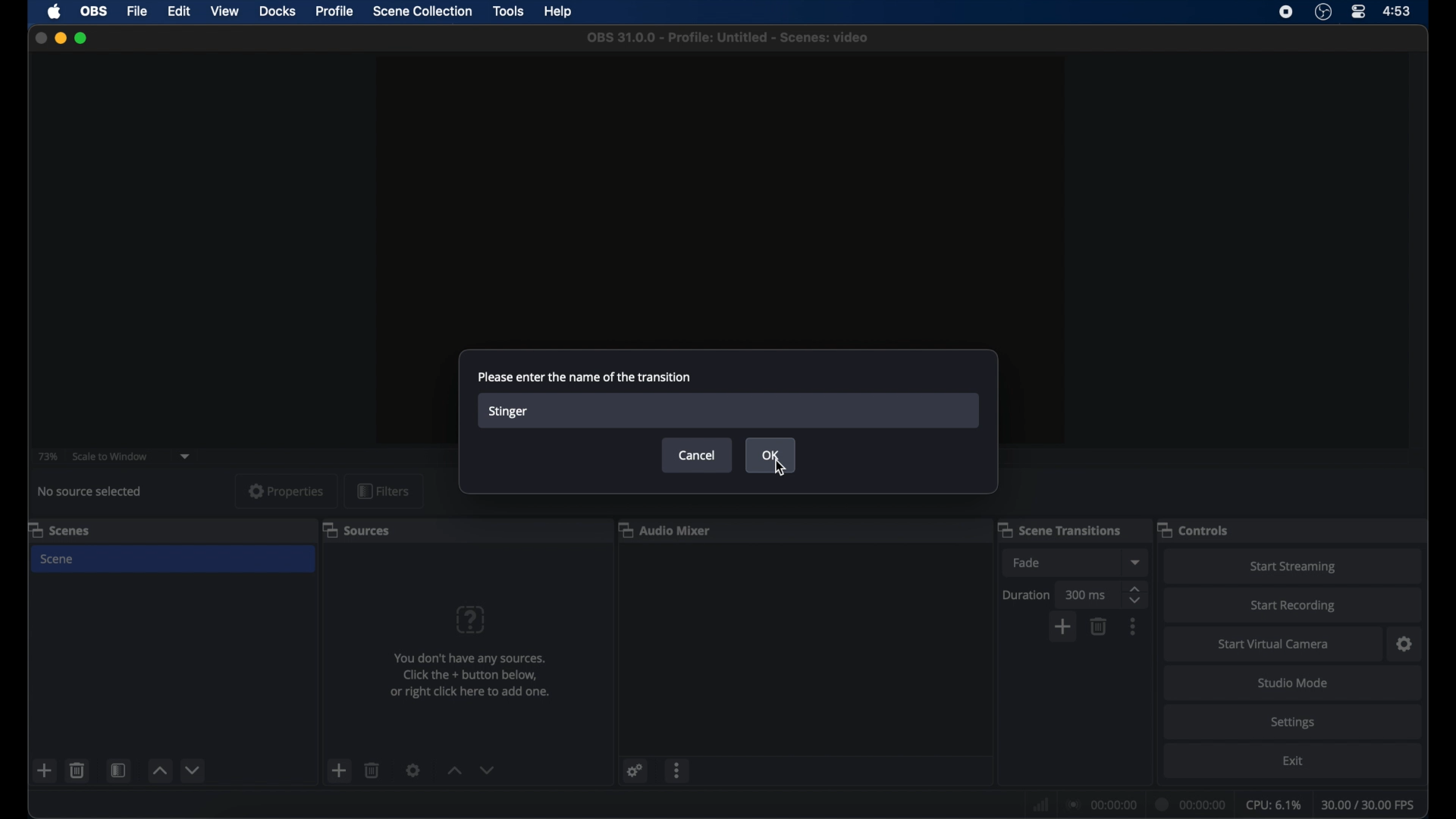 This screenshot has width=1456, height=819. Describe the element at coordinates (695, 455) in the screenshot. I see `cancel` at that location.